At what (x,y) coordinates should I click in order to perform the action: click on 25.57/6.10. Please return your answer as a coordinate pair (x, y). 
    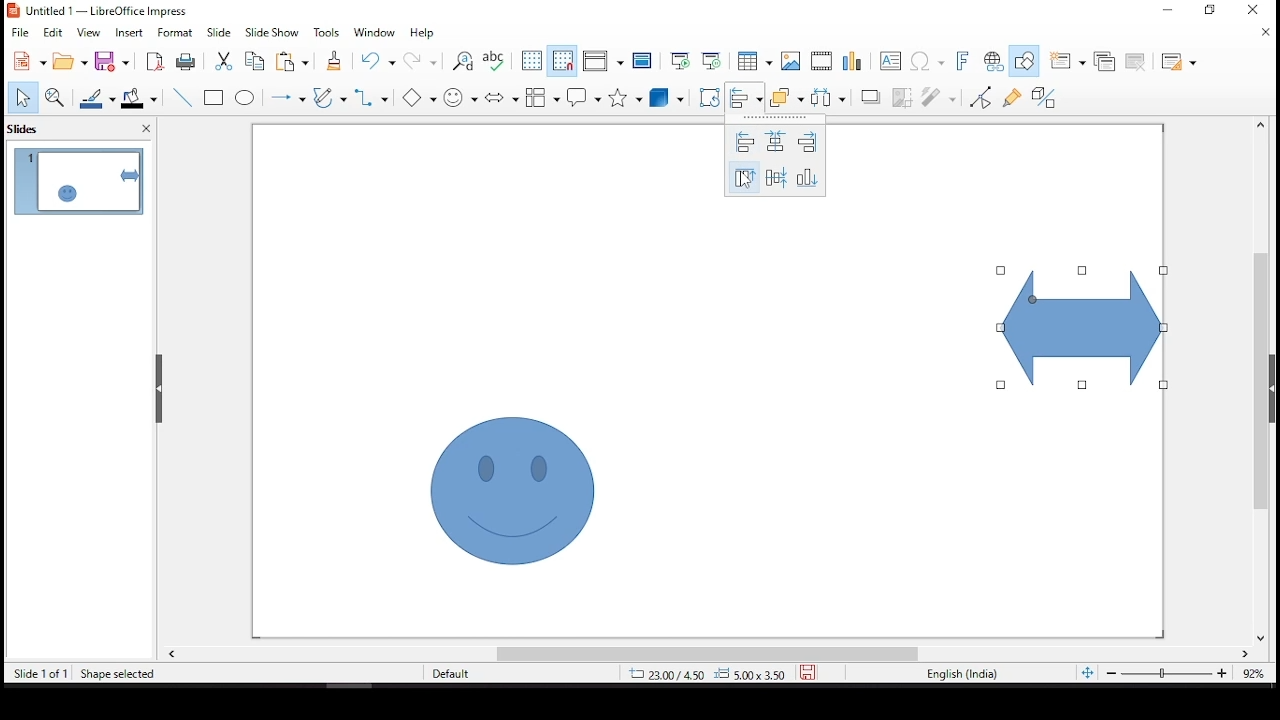
    Looking at the image, I should click on (665, 675).